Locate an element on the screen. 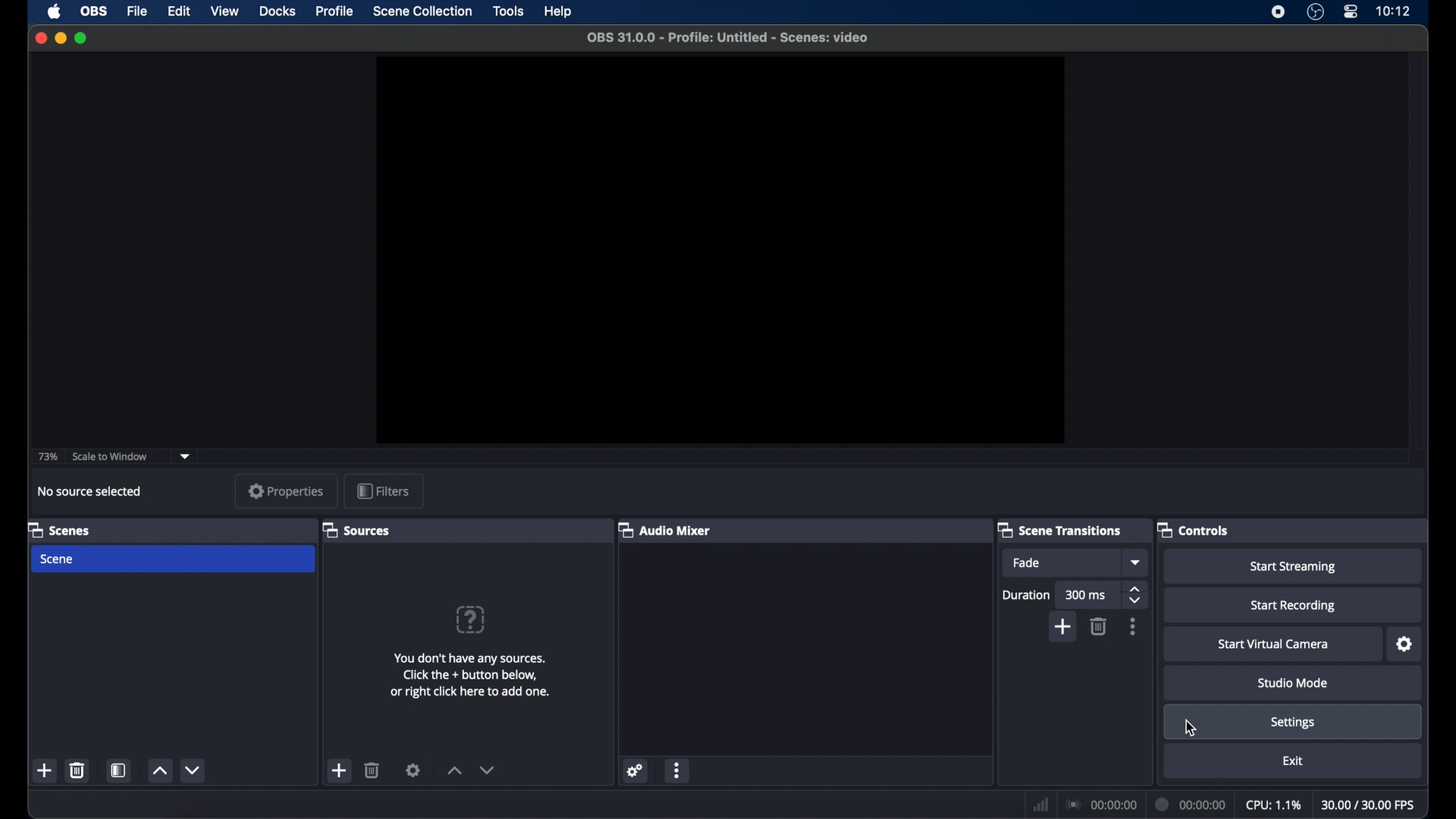 The image size is (1456, 819). properties is located at coordinates (286, 491).